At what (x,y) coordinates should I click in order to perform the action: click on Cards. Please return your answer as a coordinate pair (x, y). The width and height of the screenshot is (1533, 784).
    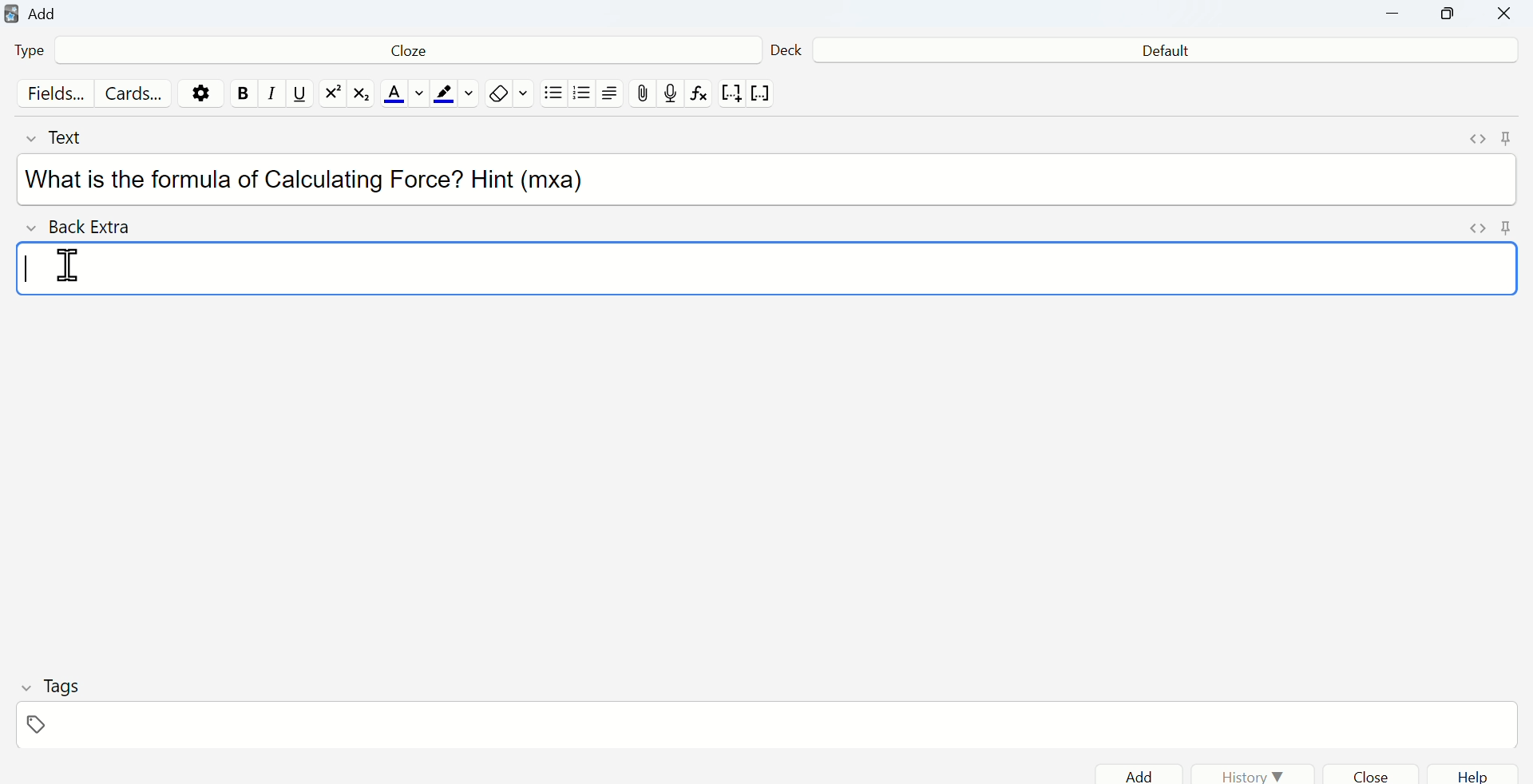
    Looking at the image, I should click on (135, 94).